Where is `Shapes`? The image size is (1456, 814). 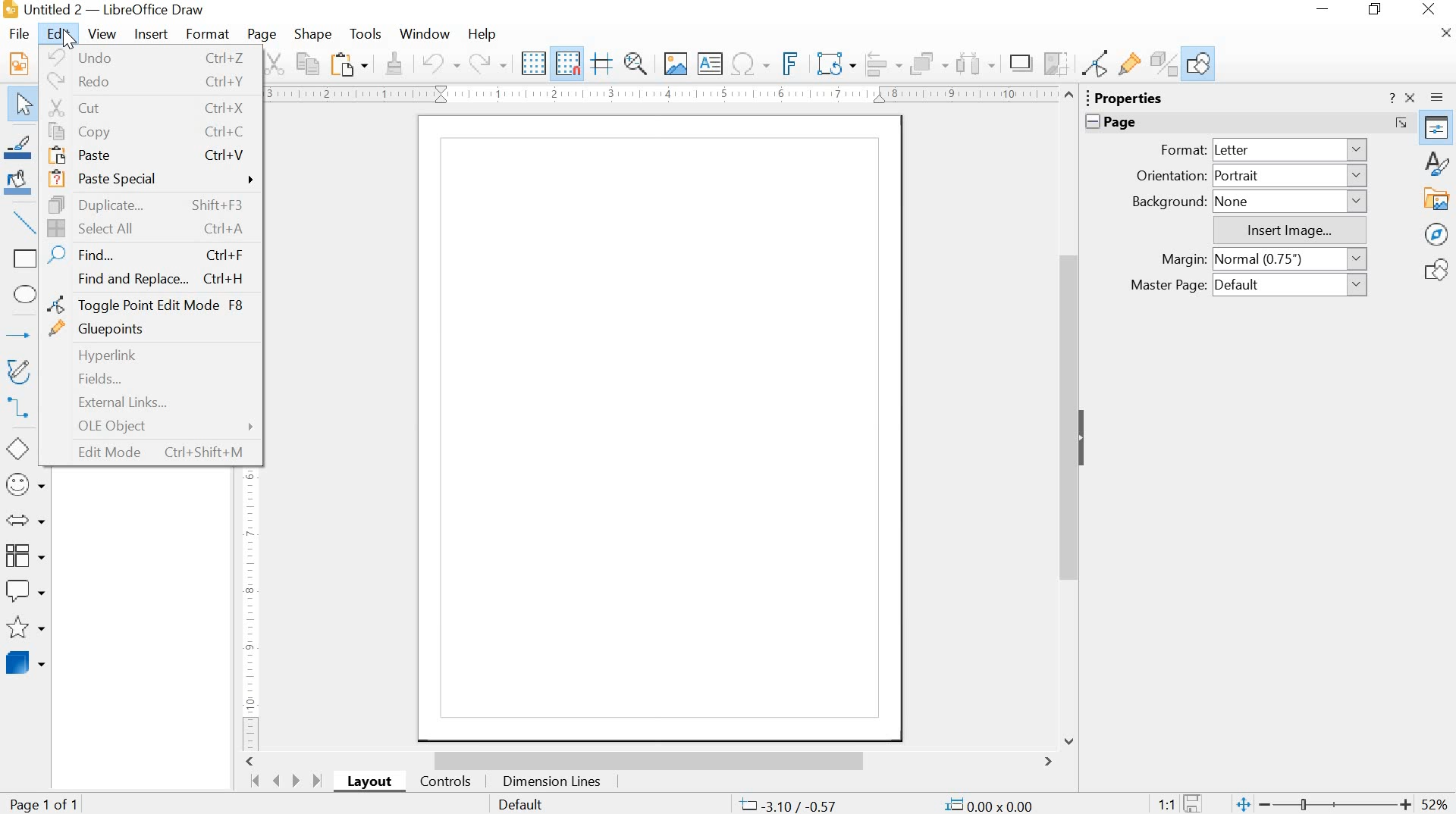
Shapes is located at coordinates (1438, 269).